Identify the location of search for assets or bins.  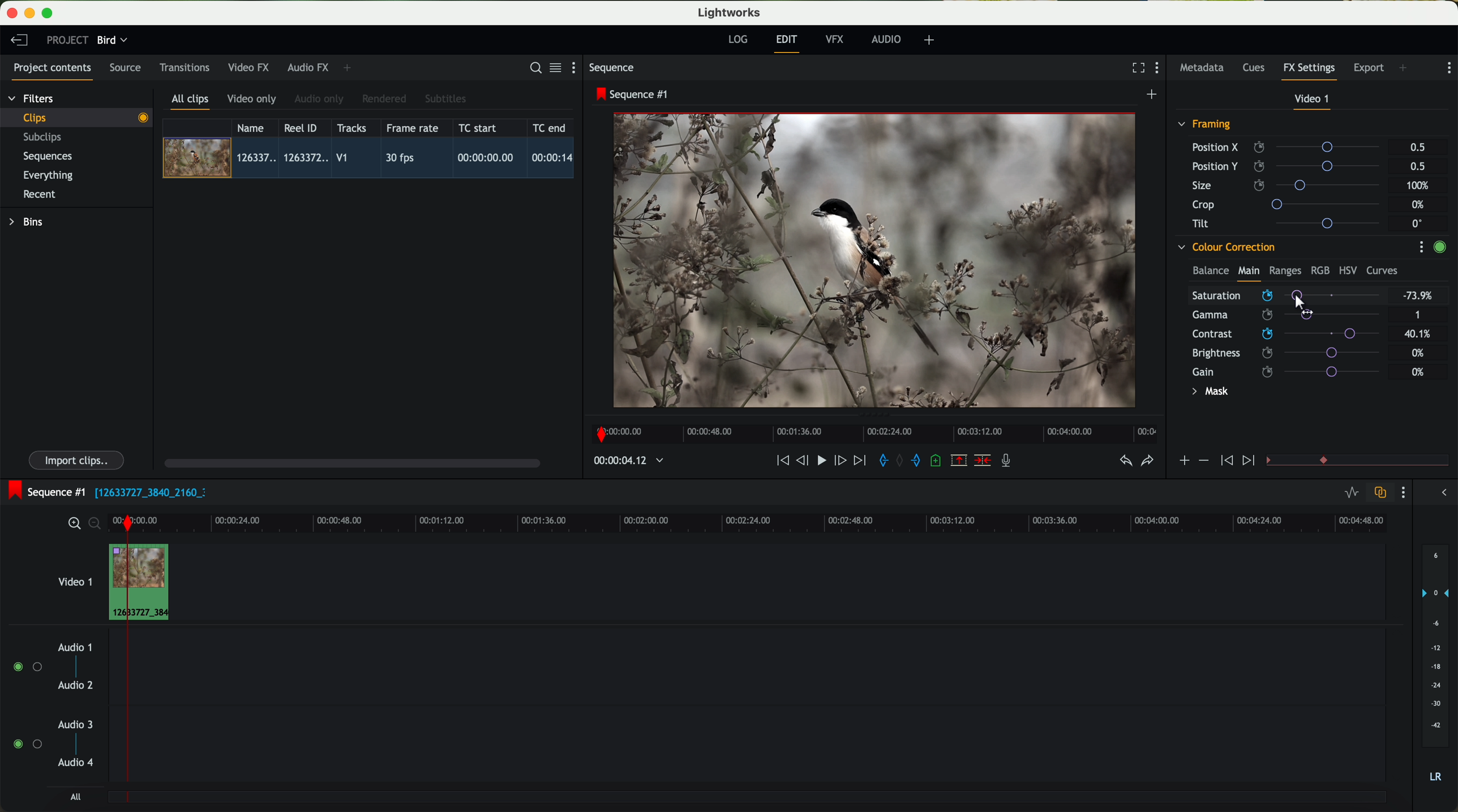
(532, 68).